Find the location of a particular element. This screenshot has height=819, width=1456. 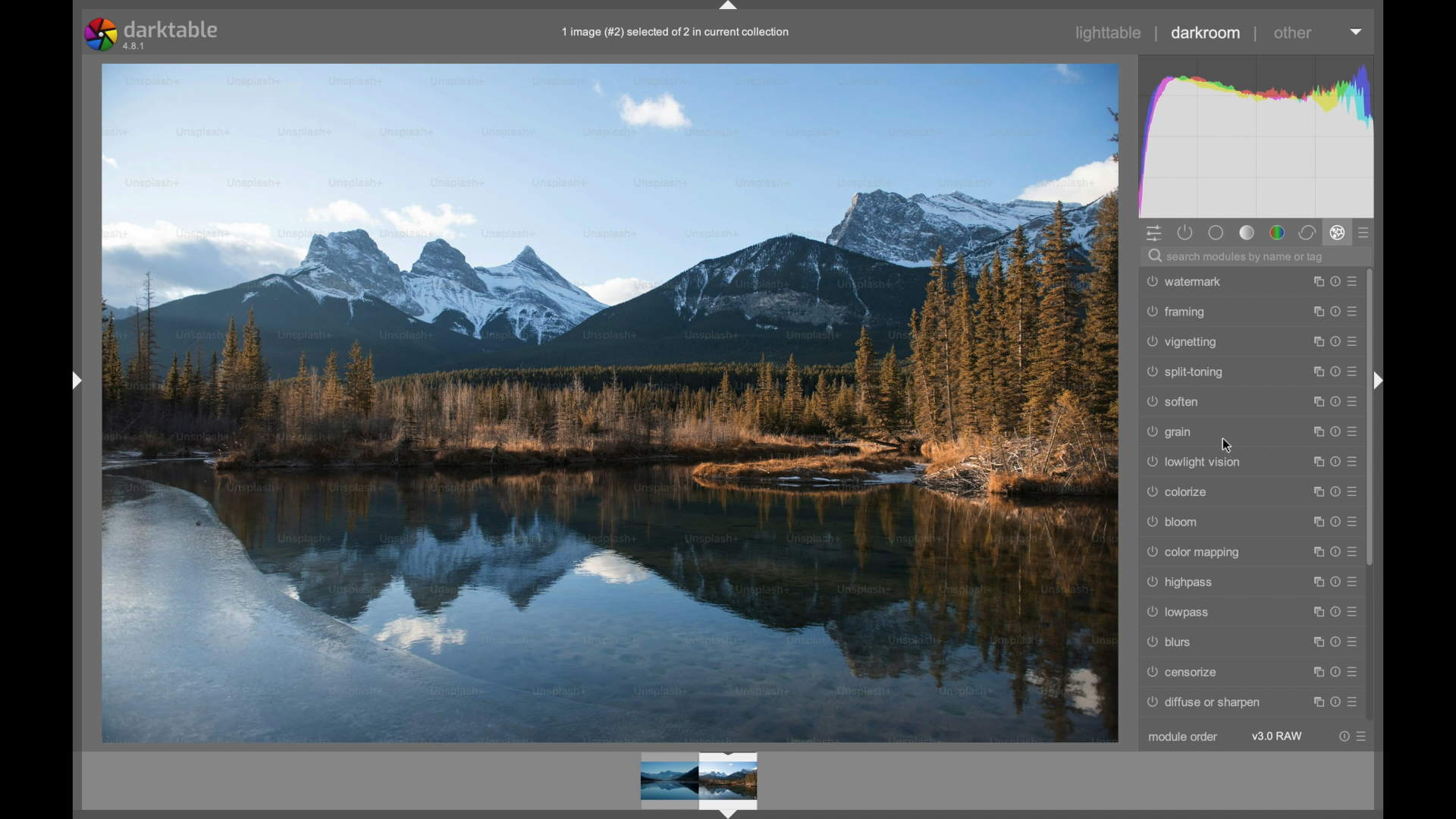

instance is located at coordinates (1316, 701).